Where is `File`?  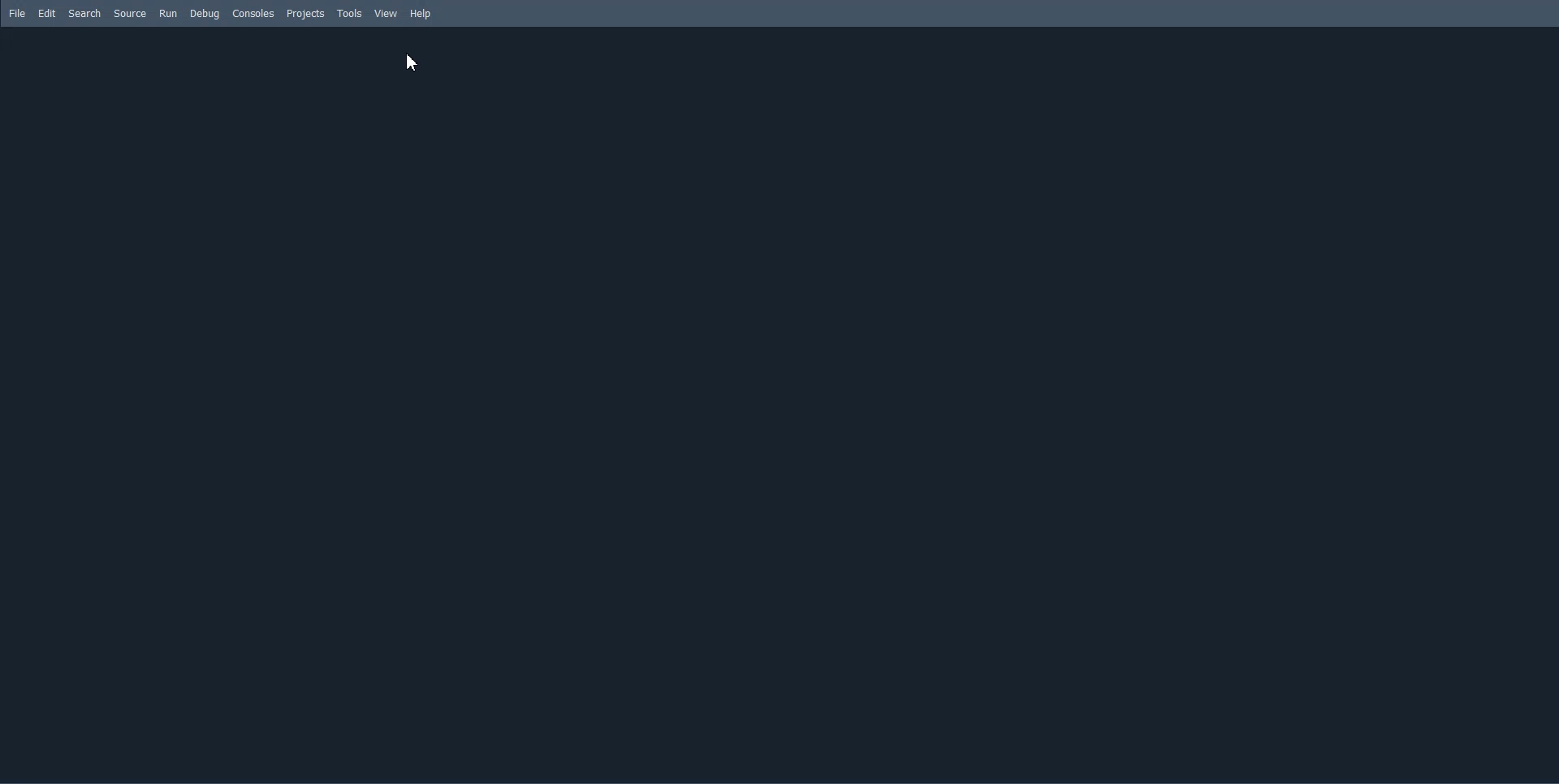 File is located at coordinates (19, 13).